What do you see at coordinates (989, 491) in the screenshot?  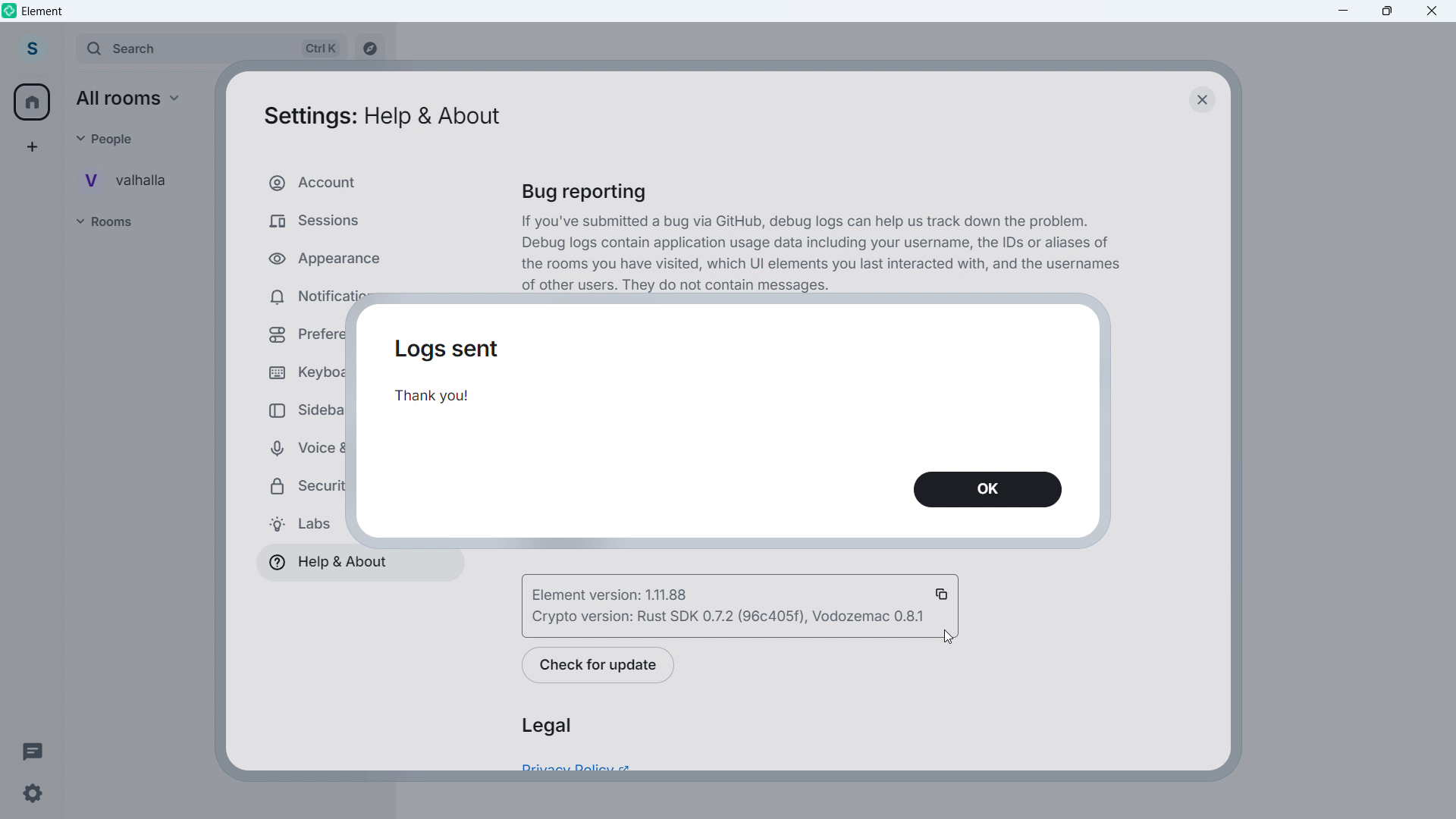 I see `O K ` at bounding box center [989, 491].